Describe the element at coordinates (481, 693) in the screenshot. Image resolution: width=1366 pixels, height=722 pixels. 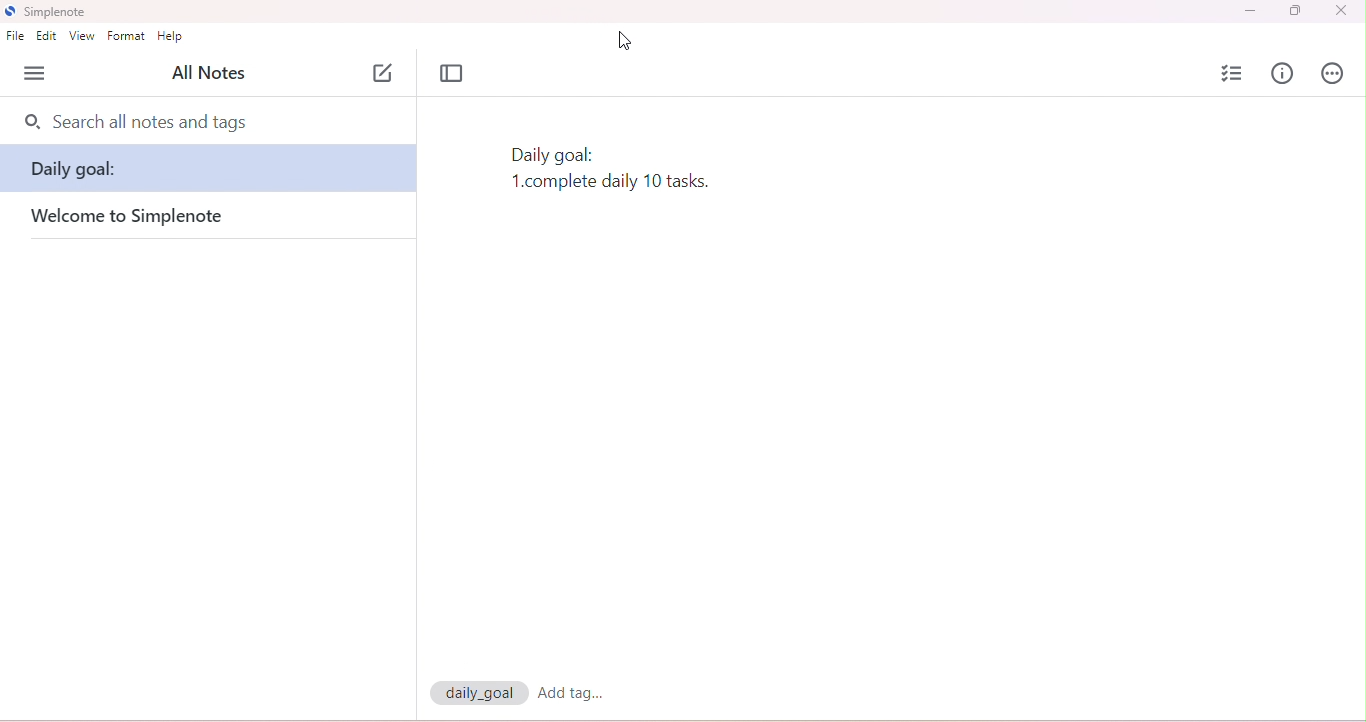
I see `daily goal tag appeared` at that location.